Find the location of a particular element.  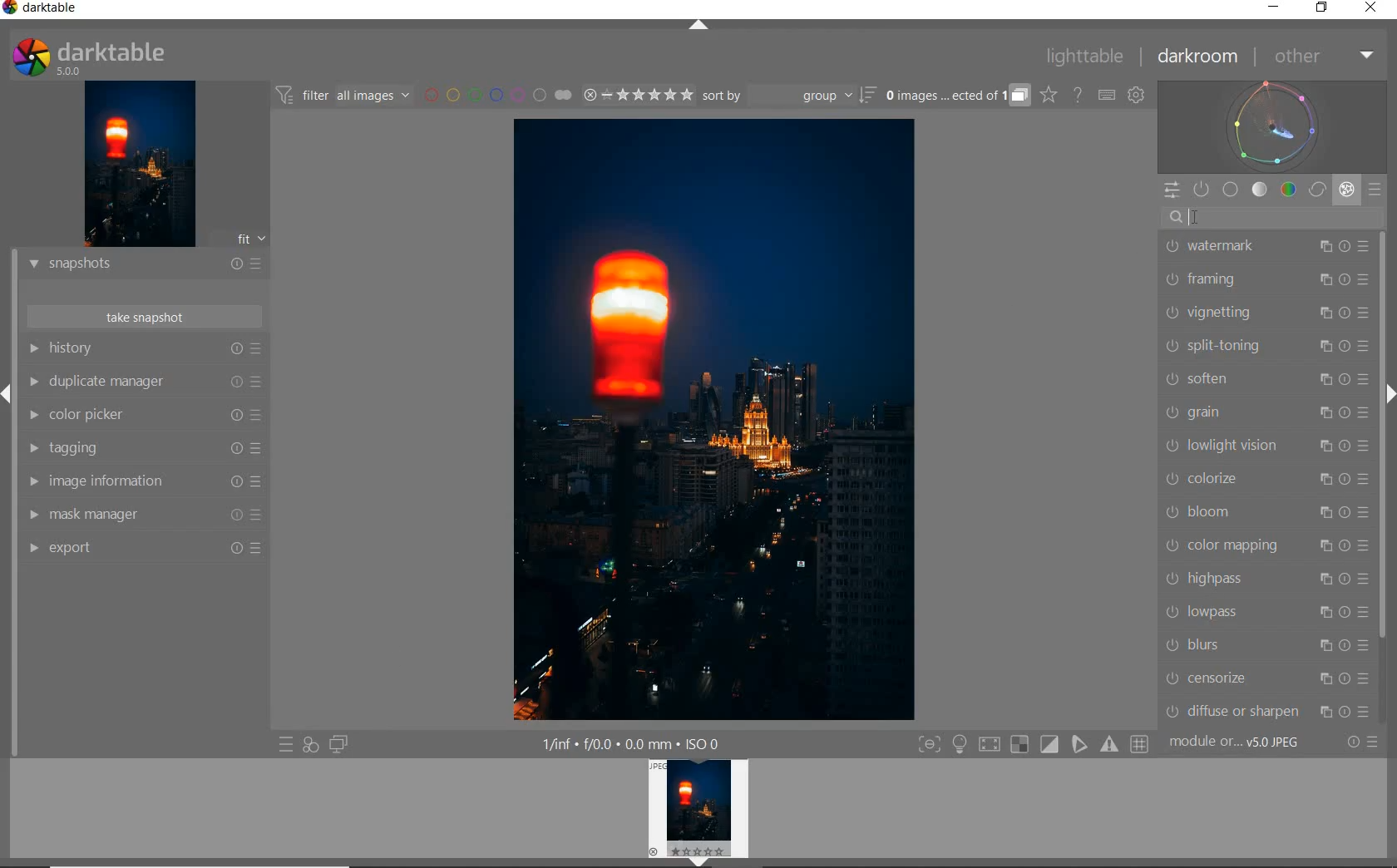

CORRECT is located at coordinates (1317, 190).